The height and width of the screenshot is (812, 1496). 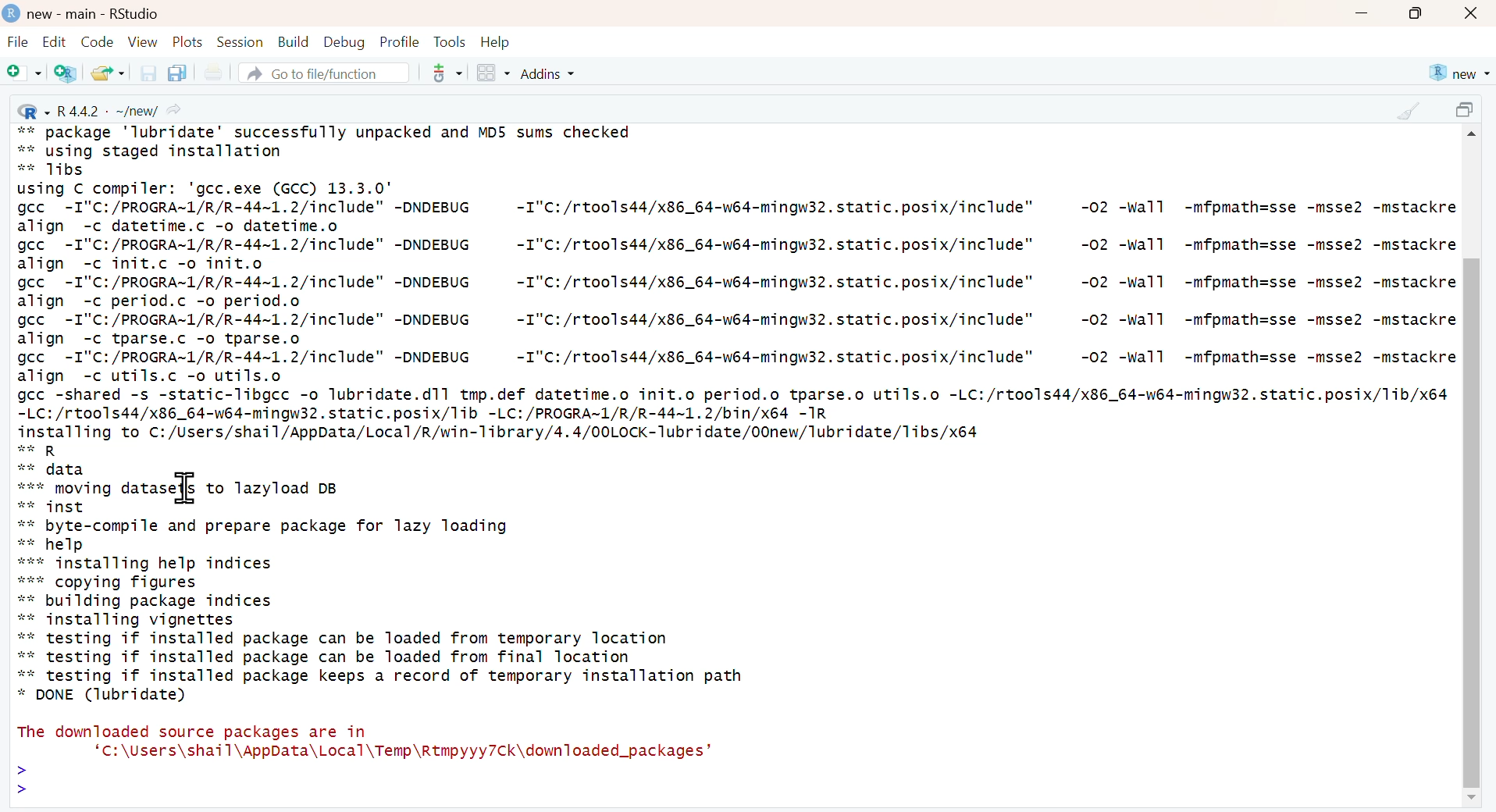 I want to click on using C compiler: 'gcc.exe (GCC) 13.3.0°

gcc -I"C:/PROGRA~1/R/R-44~1.2/include" -DNDEBUG -I"C:/rtools44/x86_64-w64-mingw32.static.posix/include"” -02 -wall -mfpmath=sse -msse2 -mstackre
align -c datetime.c -o datetime.o

gcc -I"C:/PROGRA~1/R/R-44~1.2/include" -DNDEBUG -I"C:/rtools44/x86_64-w64-mingw32.static.posix/include"” -02 -wall -mfpmath=sse -msse2 -mstackre
align -c init.c -o init.o

gcc -I"C:/PROGRA~1/R/R-44~1.2/include" -DNDEBUG -I"C:/rtools44/x86_64-w64-mingw32.static.posix/include"” -02 -wall -mfpmath=sse -msse2 -mstackre
align -c period.c -o period.o

gcc -I"C:/PROGRA~1/R/R-44~1.2/include" -DNDEBUG -I"C:/rtools44/x86_64-w64-mingw32.static.posix/include"” -02 -wall -mfpmath=sse -msse2 -mstackre
align -c tparse.c -o tparse.o

gcc -I"C:/PROGRA~1/R/R-44~1.2/include"” -DNDEBUG -I"C:/rtools44/x86_64-w64-mingw32.static.posix/include"” -02 -wall -mfpmath=sse -msse2 -mstackre
align -c utils.c -o utils.o, so click(x=736, y=283).